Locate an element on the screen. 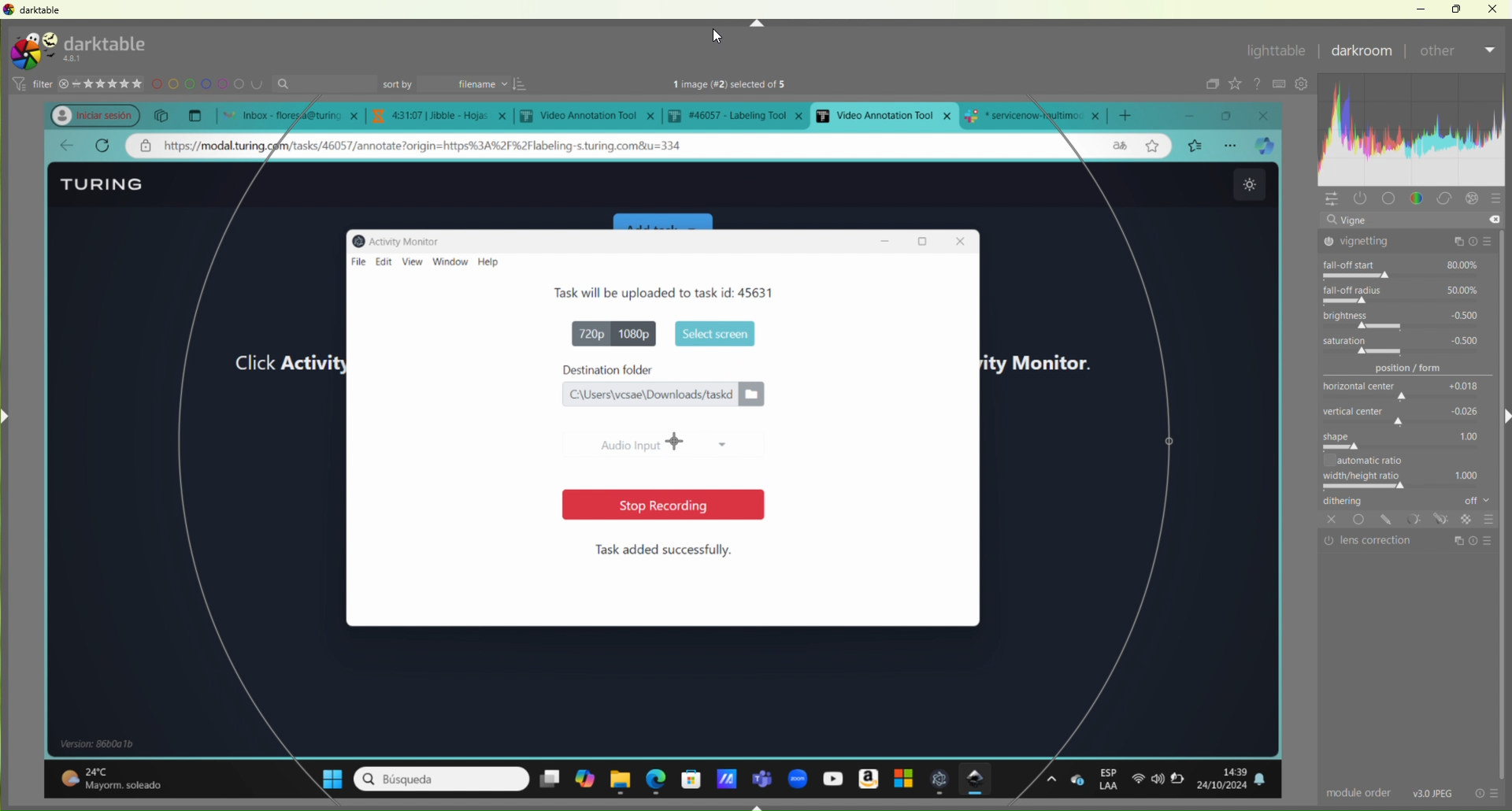 The width and height of the screenshot is (1512, 811). After is located at coordinates (1438, 50).